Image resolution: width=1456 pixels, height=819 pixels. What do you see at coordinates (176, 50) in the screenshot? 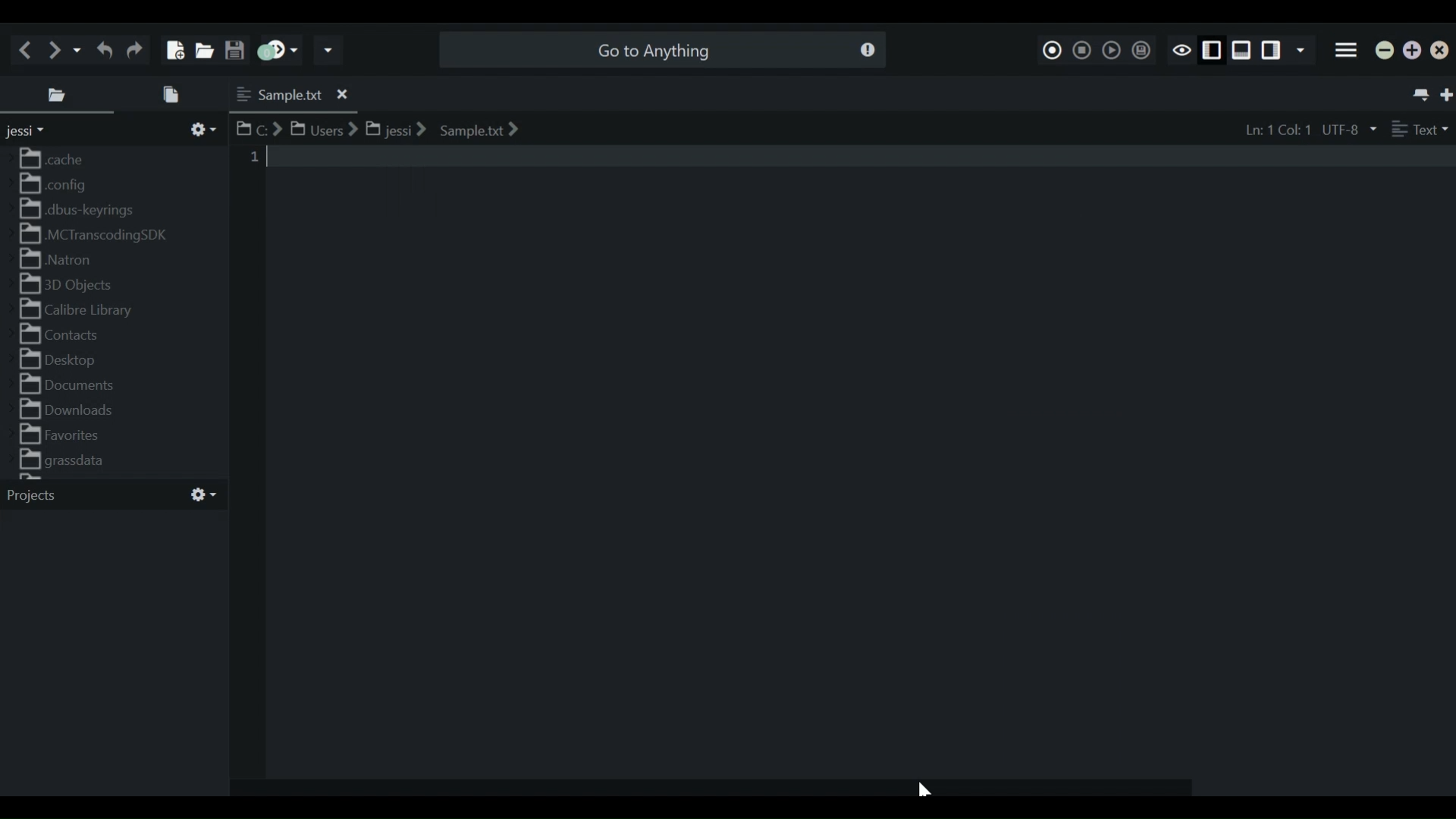
I see `New File` at bounding box center [176, 50].